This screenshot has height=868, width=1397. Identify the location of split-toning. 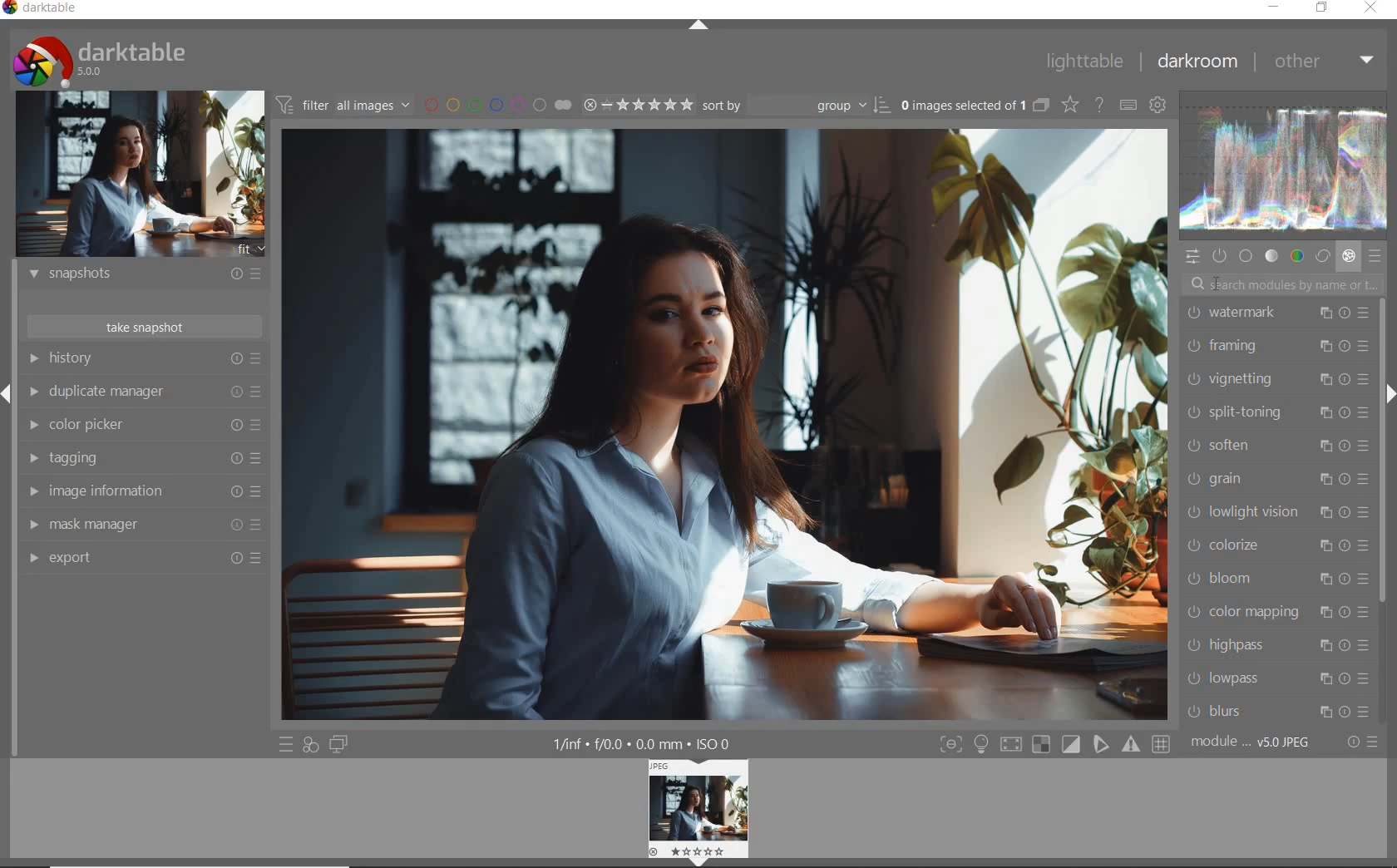
(1277, 414).